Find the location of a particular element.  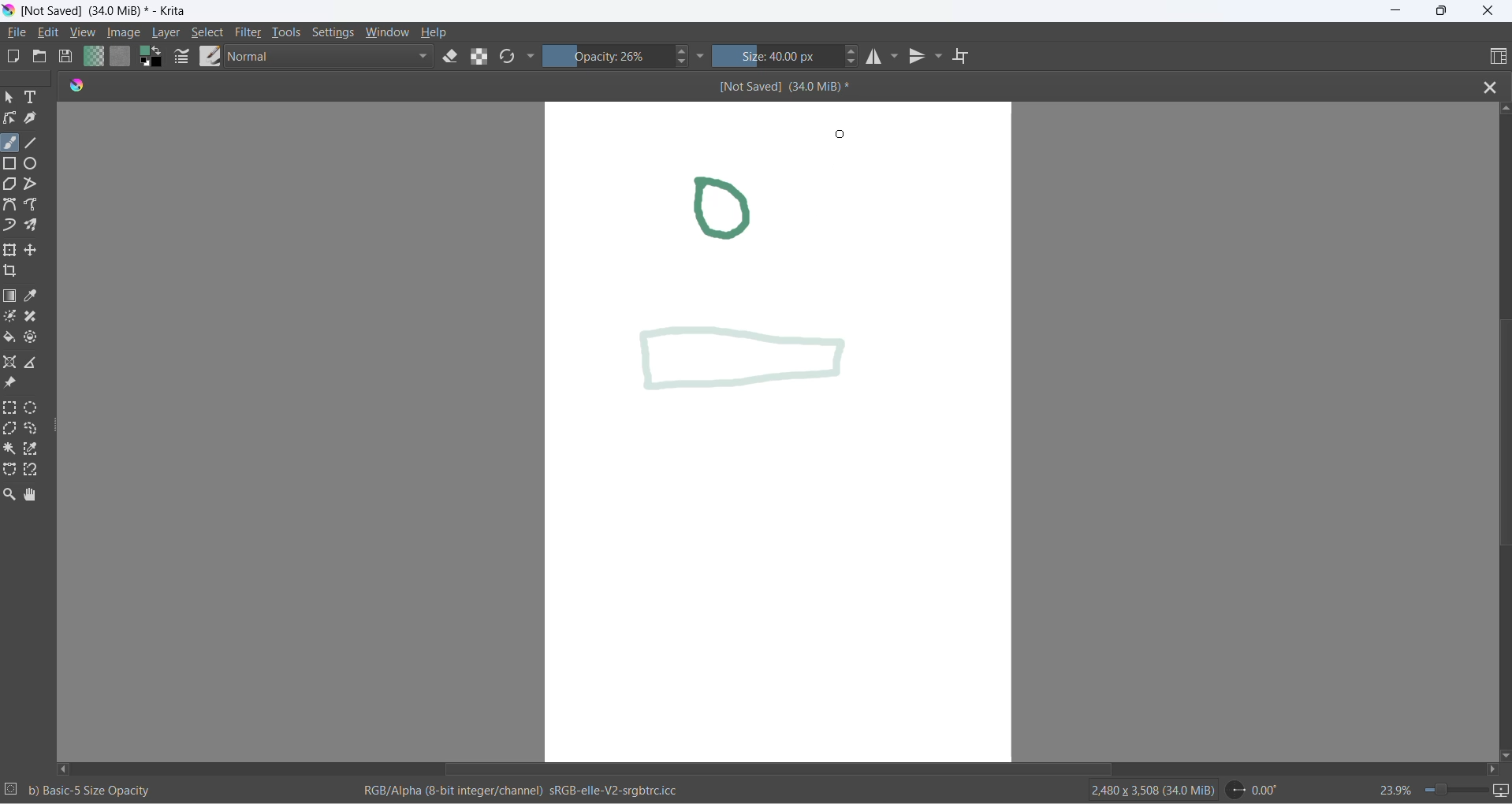

text tool is located at coordinates (39, 101).